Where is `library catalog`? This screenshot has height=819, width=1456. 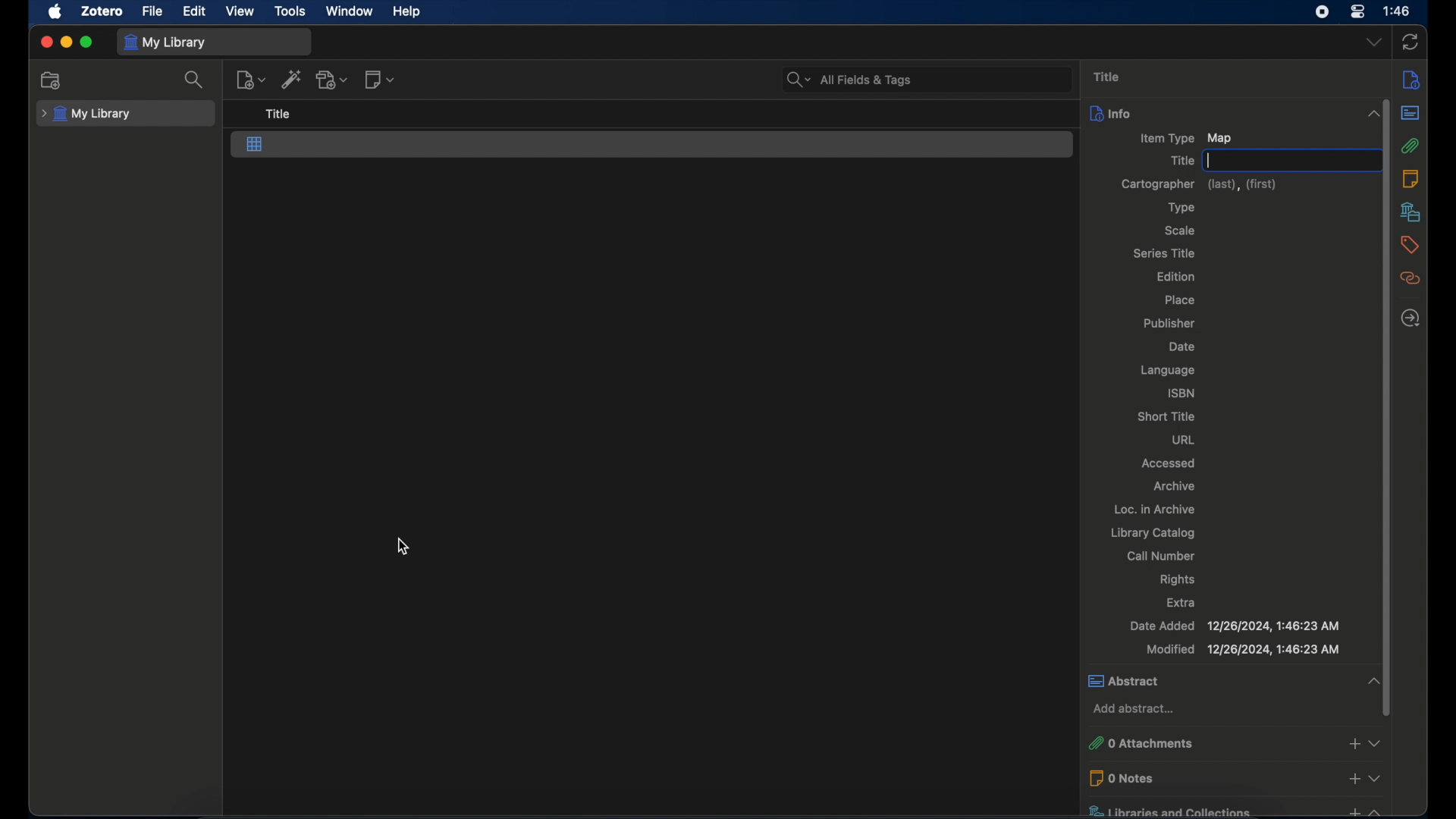
library catalog is located at coordinates (1154, 532).